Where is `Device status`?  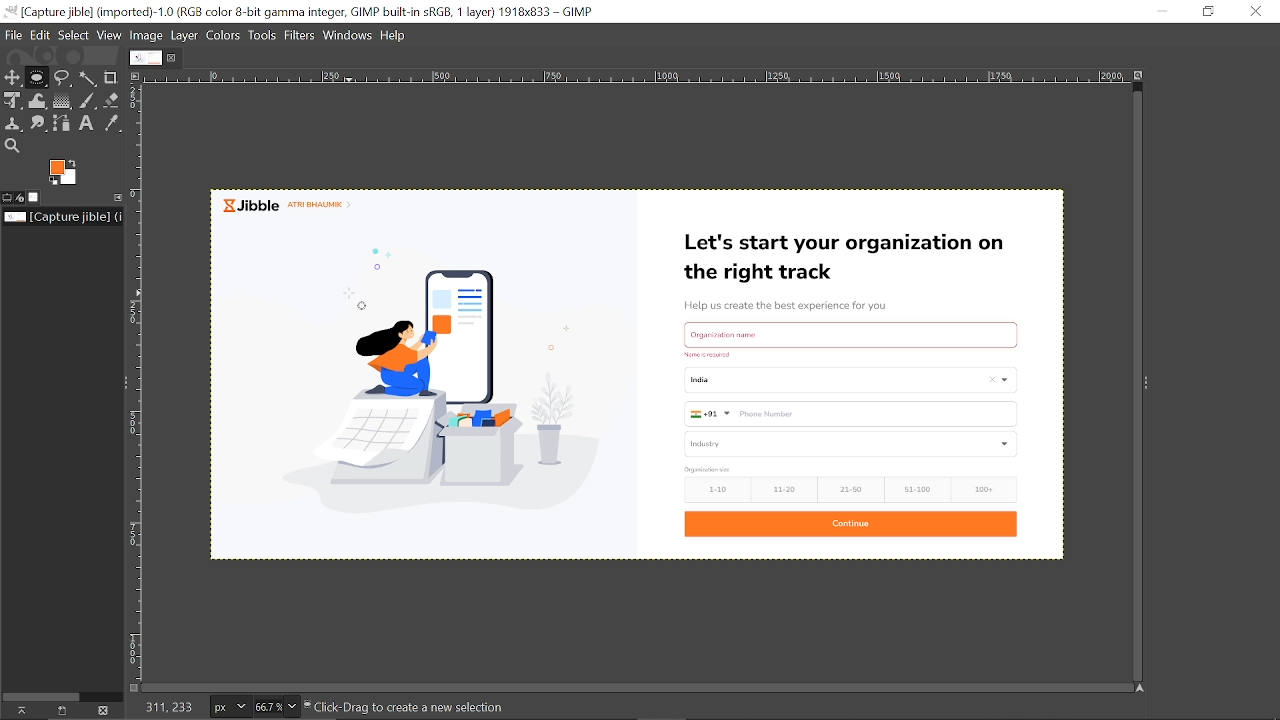
Device status is located at coordinates (21, 197).